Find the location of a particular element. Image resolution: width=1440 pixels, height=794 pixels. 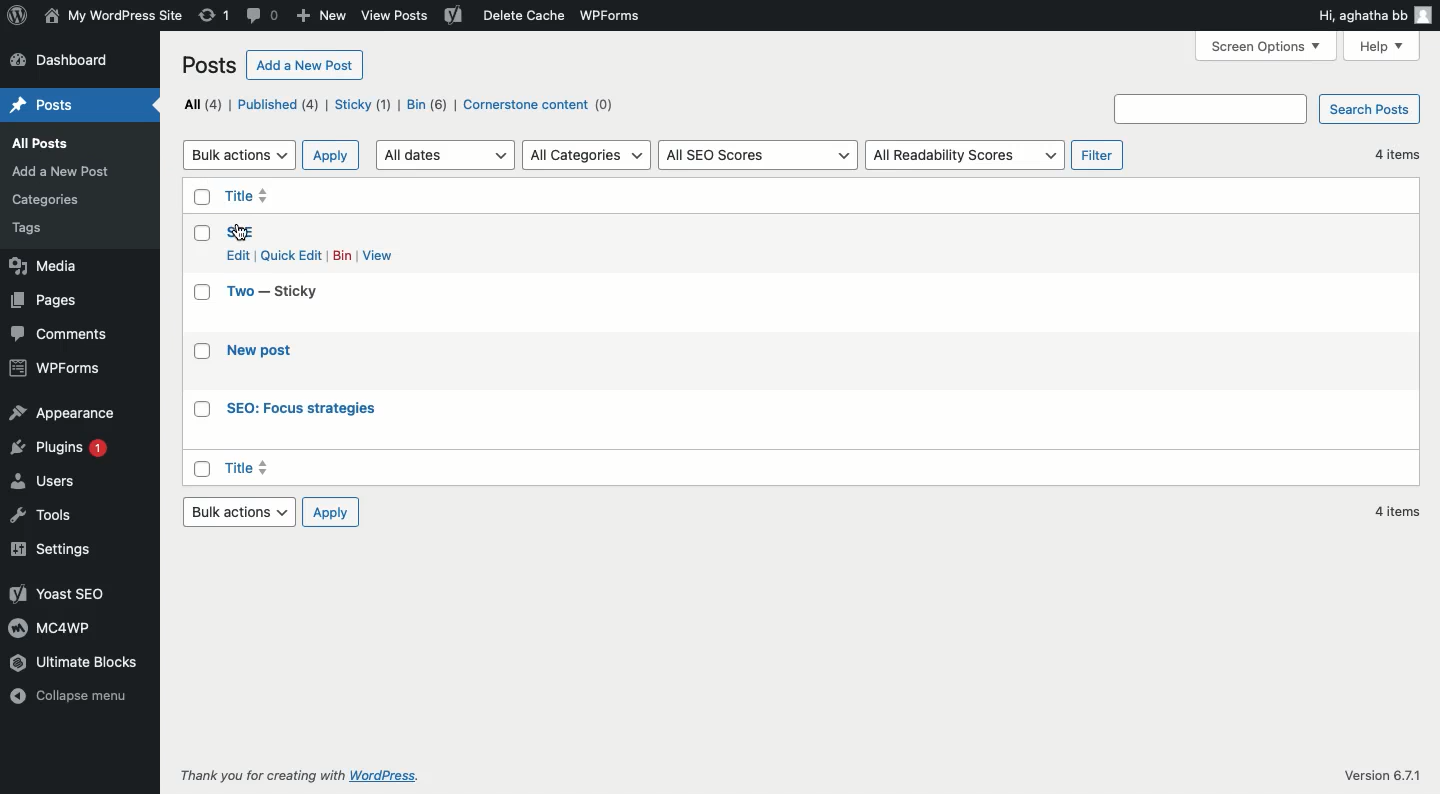

Plugins  is located at coordinates (67, 454).